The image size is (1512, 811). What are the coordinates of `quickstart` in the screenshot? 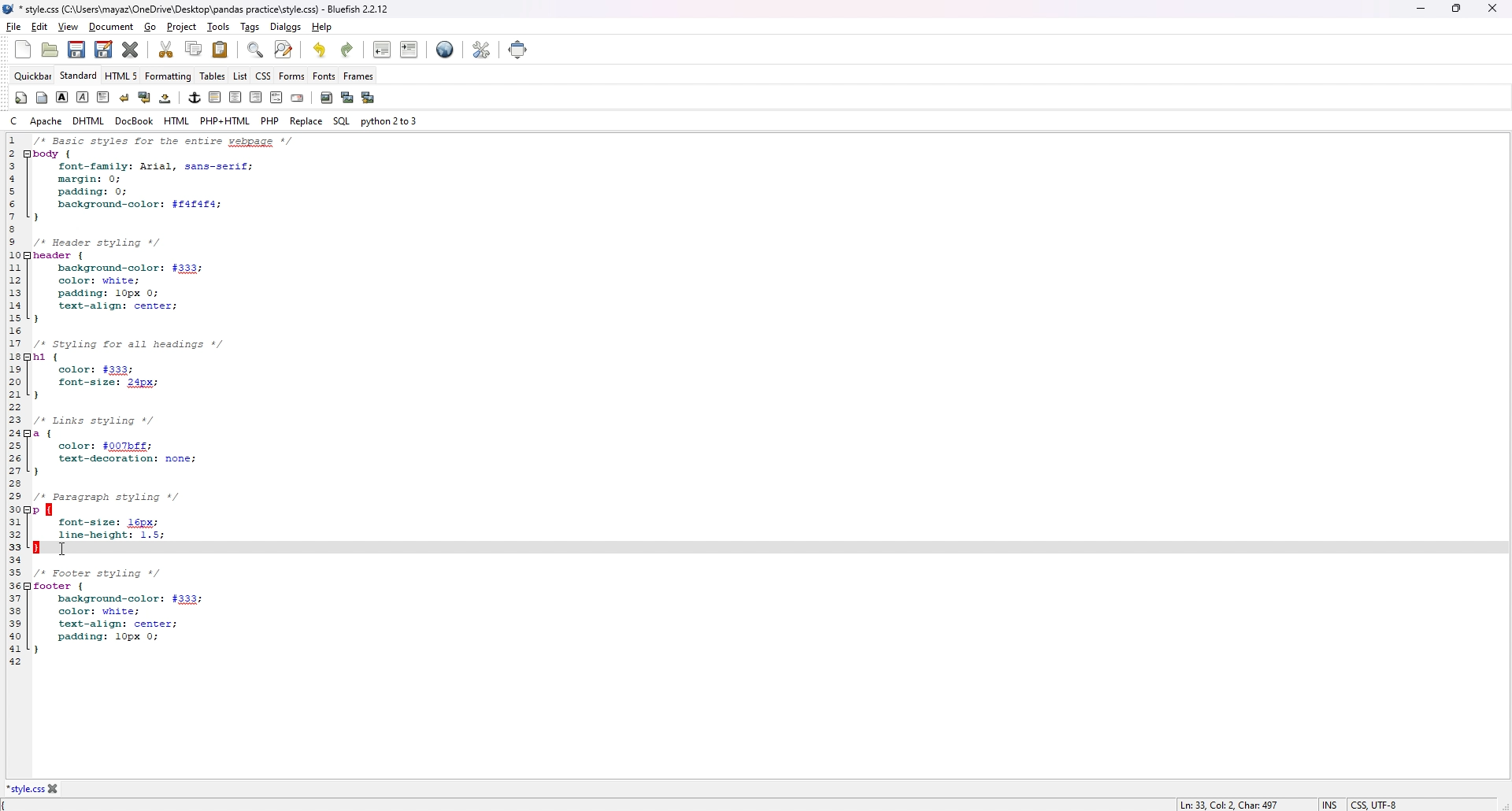 It's located at (21, 98).